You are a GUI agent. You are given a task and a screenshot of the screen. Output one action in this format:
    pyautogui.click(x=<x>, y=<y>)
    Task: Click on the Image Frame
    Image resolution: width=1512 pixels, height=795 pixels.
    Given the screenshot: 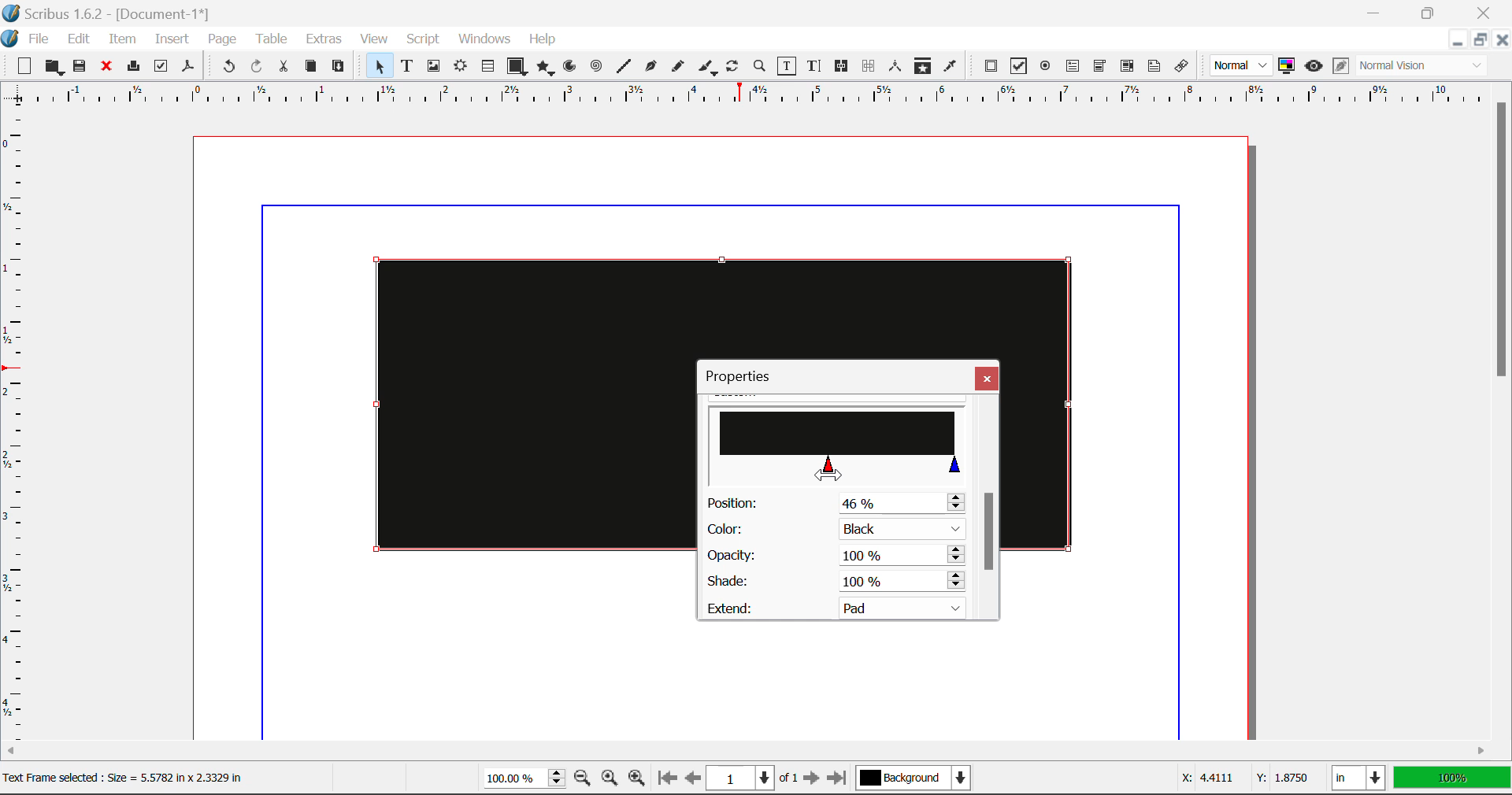 What is the action you would take?
    pyautogui.click(x=433, y=68)
    